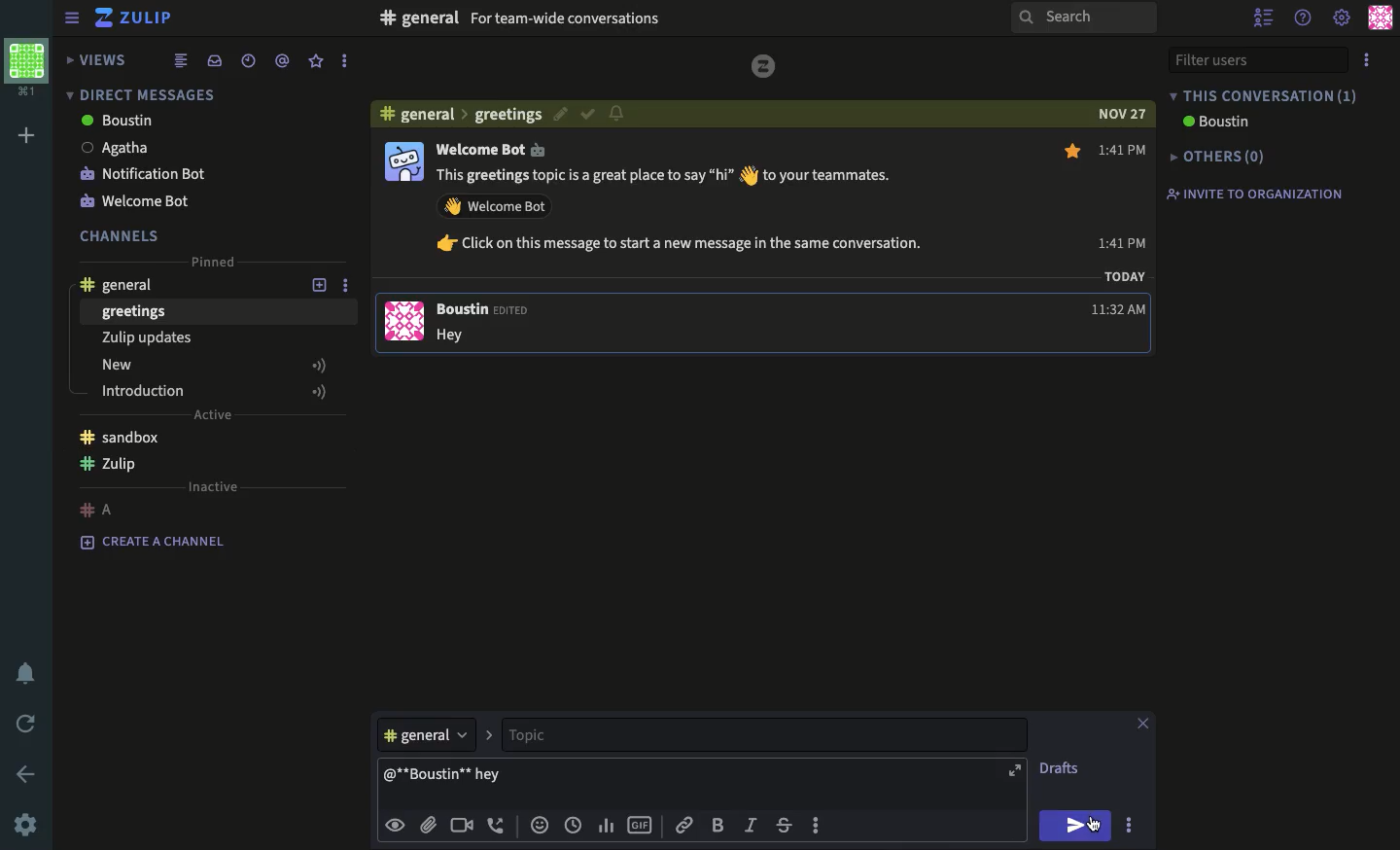 This screenshot has width=1400, height=850. What do you see at coordinates (1073, 826) in the screenshot?
I see `send` at bounding box center [1073, 826].